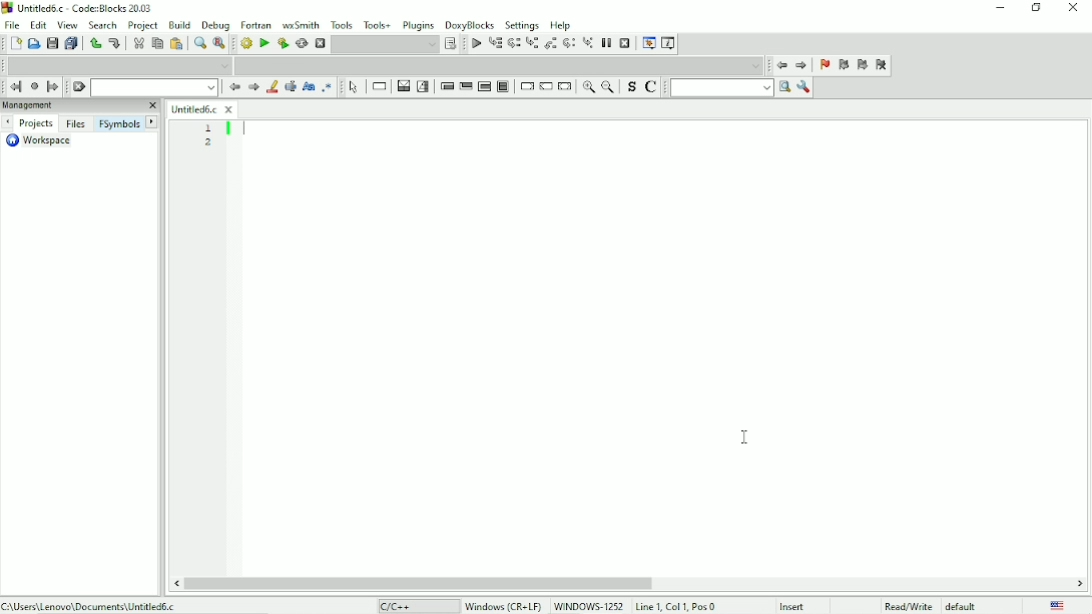 This screenshot has height=614, width=1092. I want to click on Run, so click(263, 43).